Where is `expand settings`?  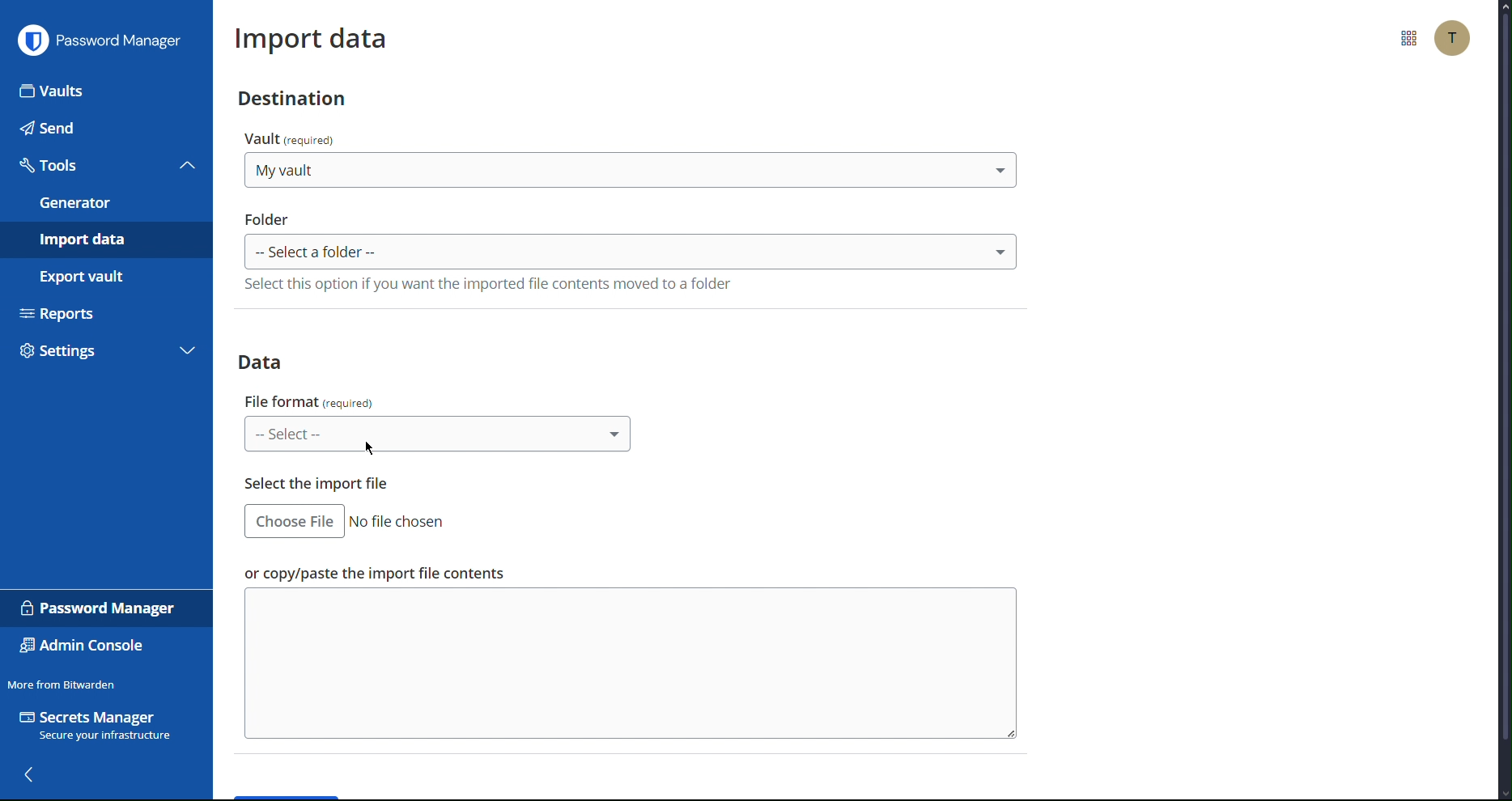 expand settings is located at coordinates (188, 353).